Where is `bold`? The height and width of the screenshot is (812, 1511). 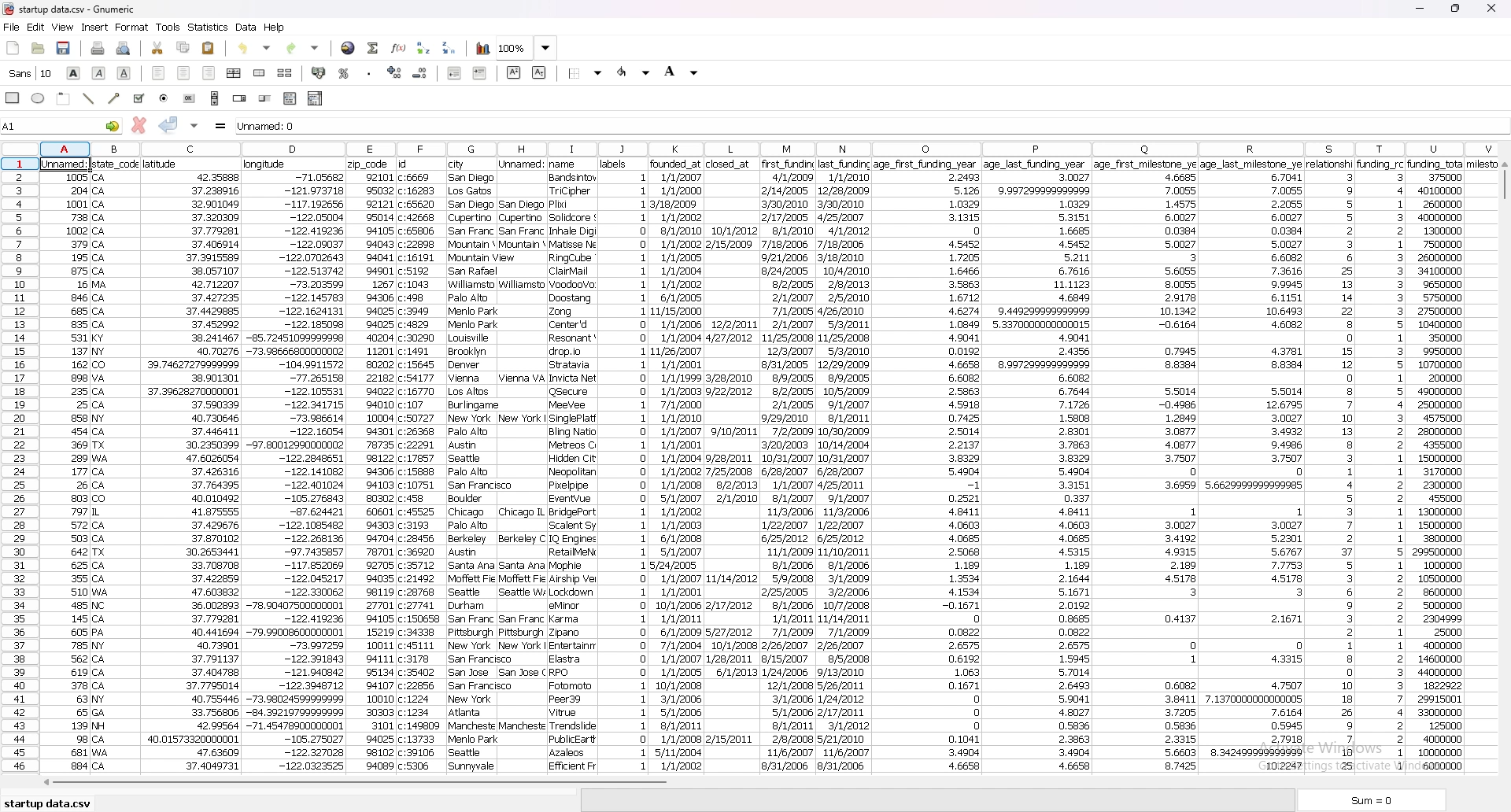
bold is located at coordinates (74, 74).